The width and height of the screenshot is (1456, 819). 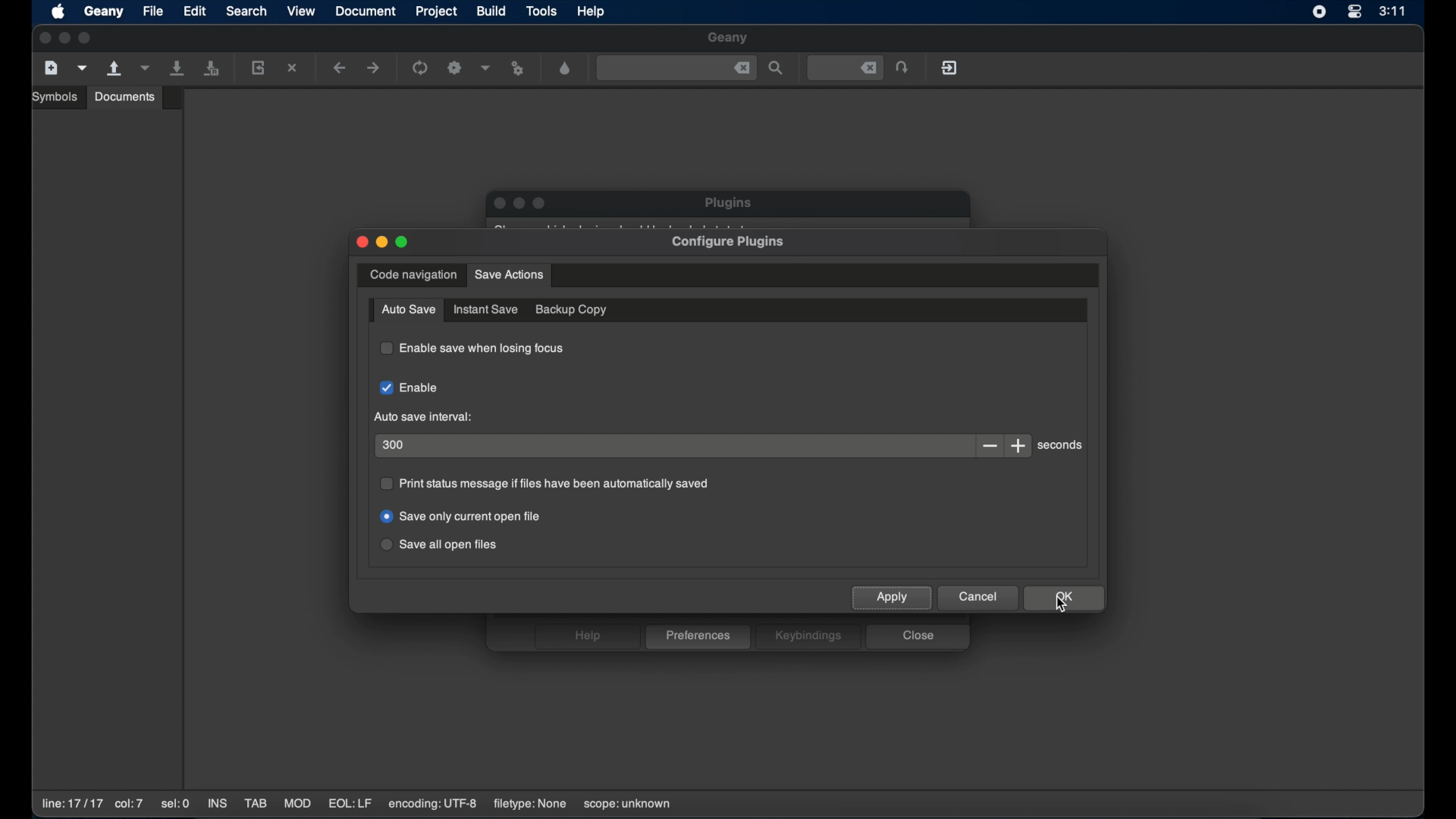 What do you see at coordinates (403, 242) in the screenshot?
I see `maximize` at bounding box center [403, 242].